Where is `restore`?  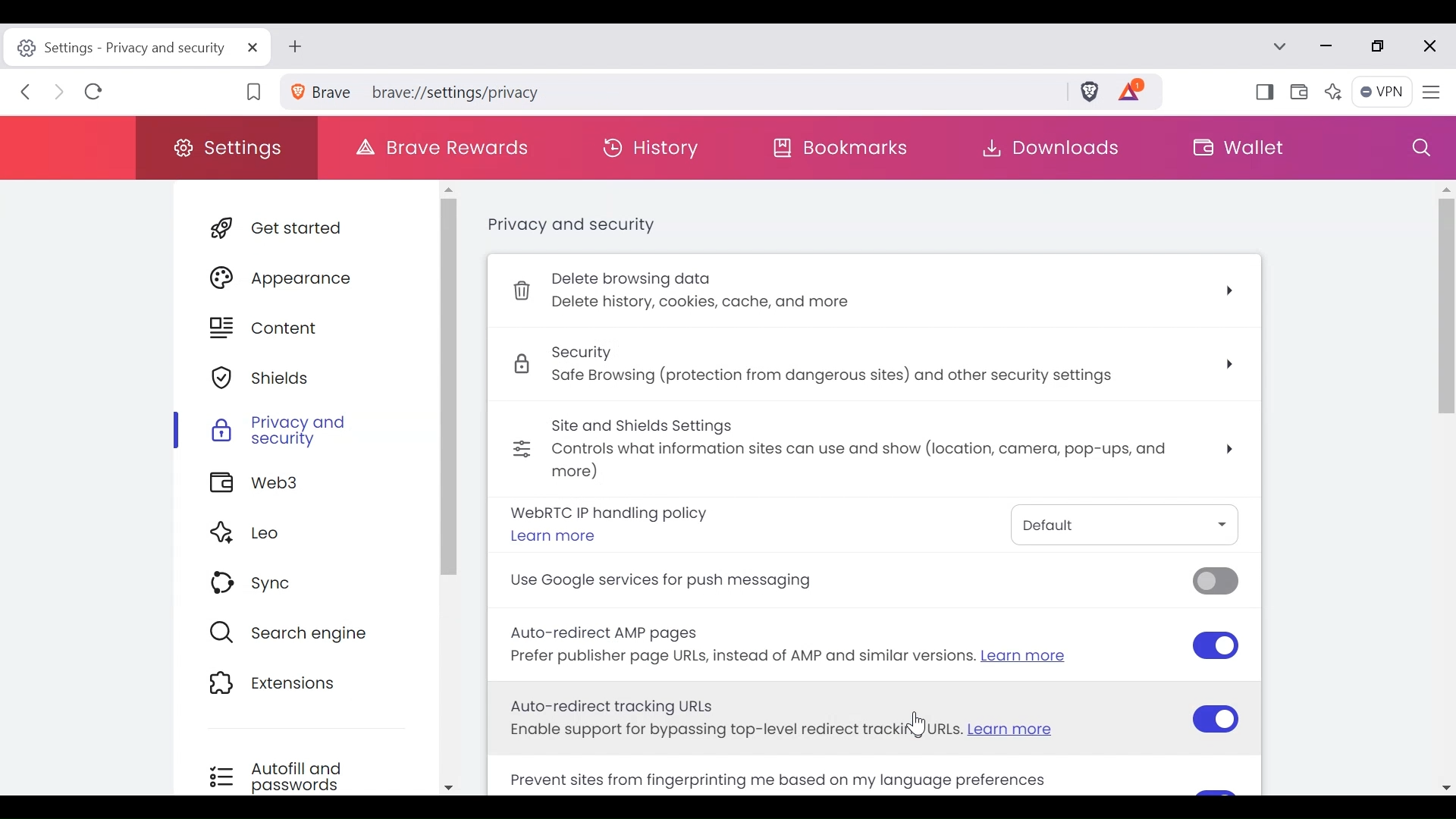
restore is located at coordinates (1385, 48).